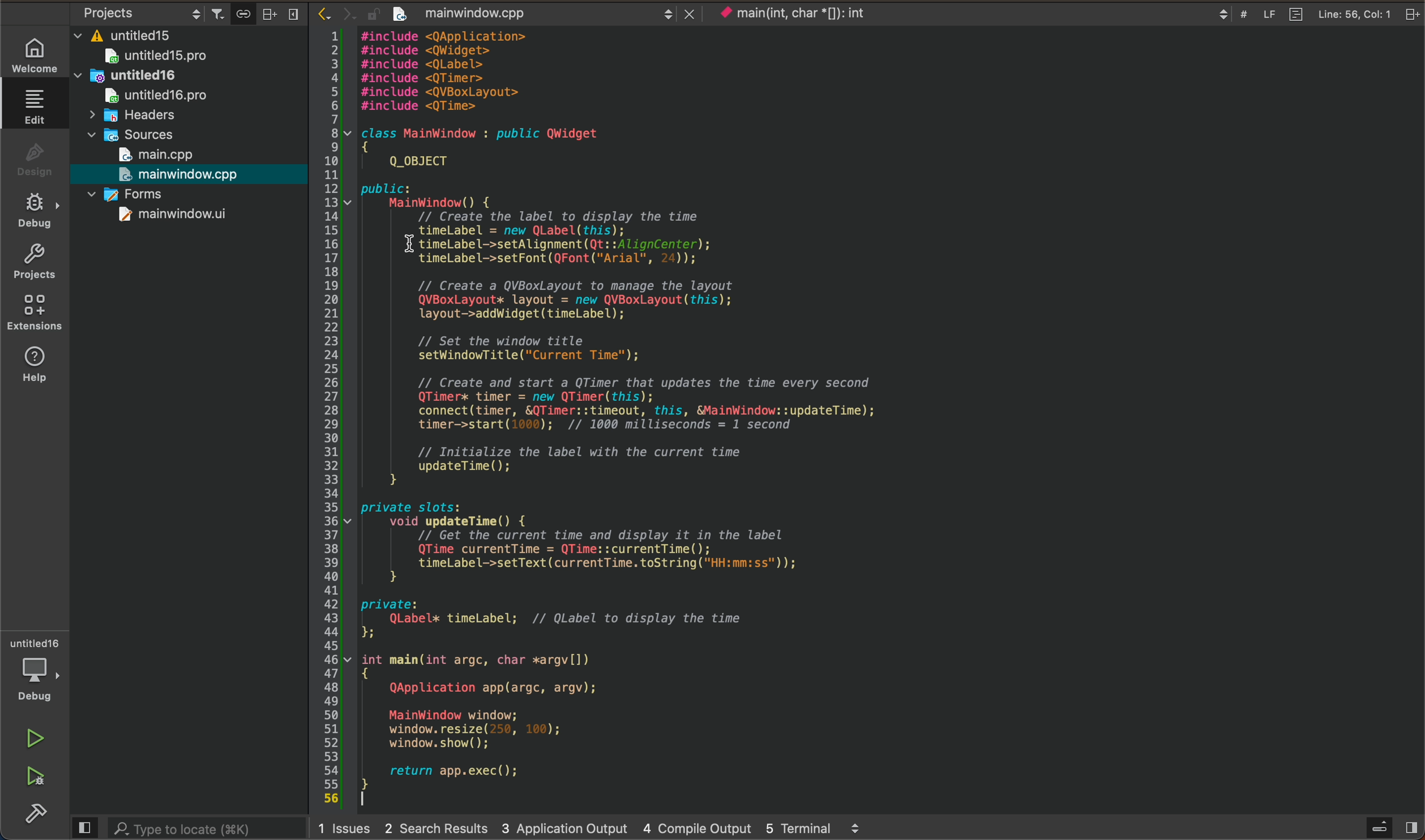 Image resolution: width=1425 pixels, height=840 pixels. I want to click on Filter, so click(217, 10).